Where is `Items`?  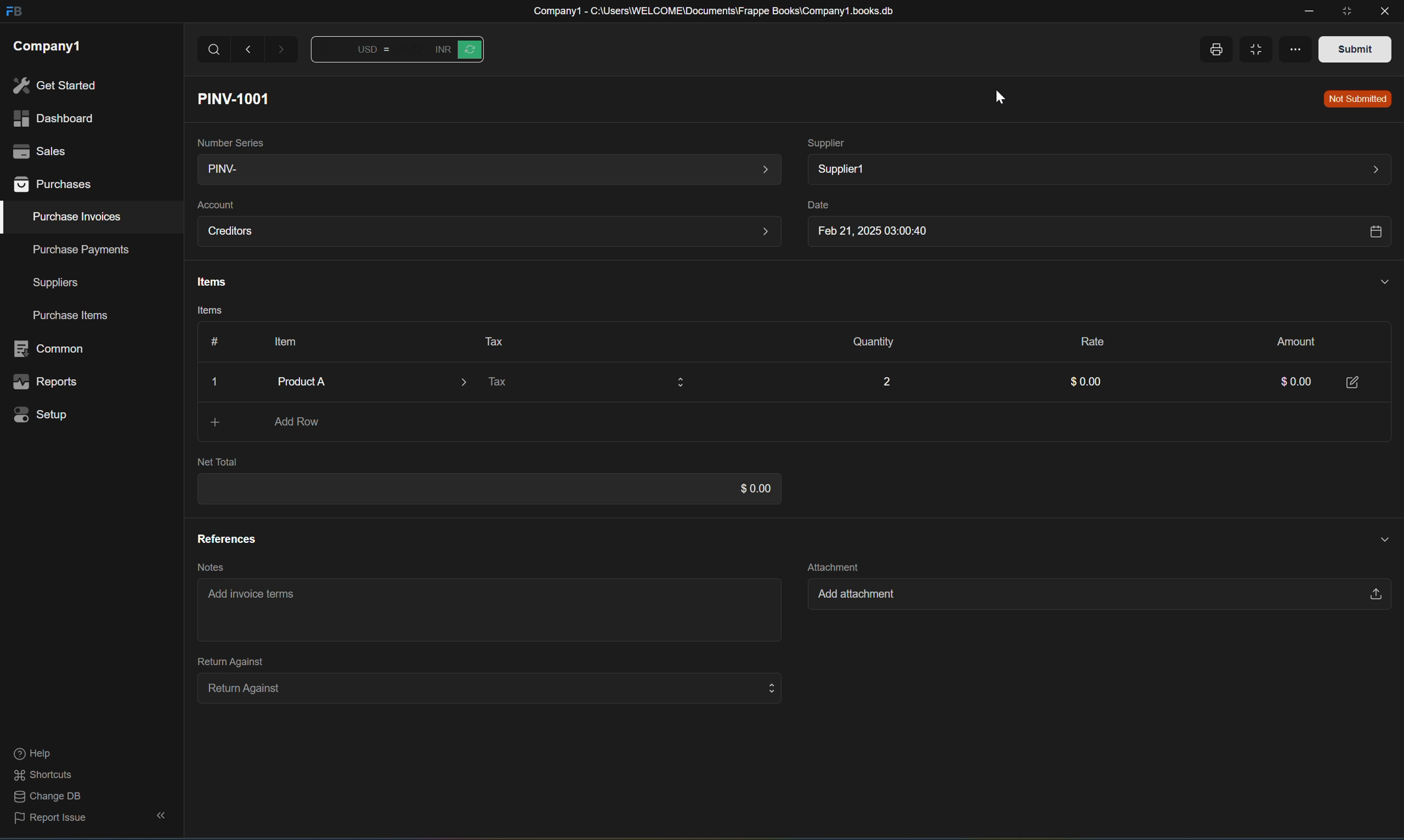 Items is located at coordinates (208, 282).